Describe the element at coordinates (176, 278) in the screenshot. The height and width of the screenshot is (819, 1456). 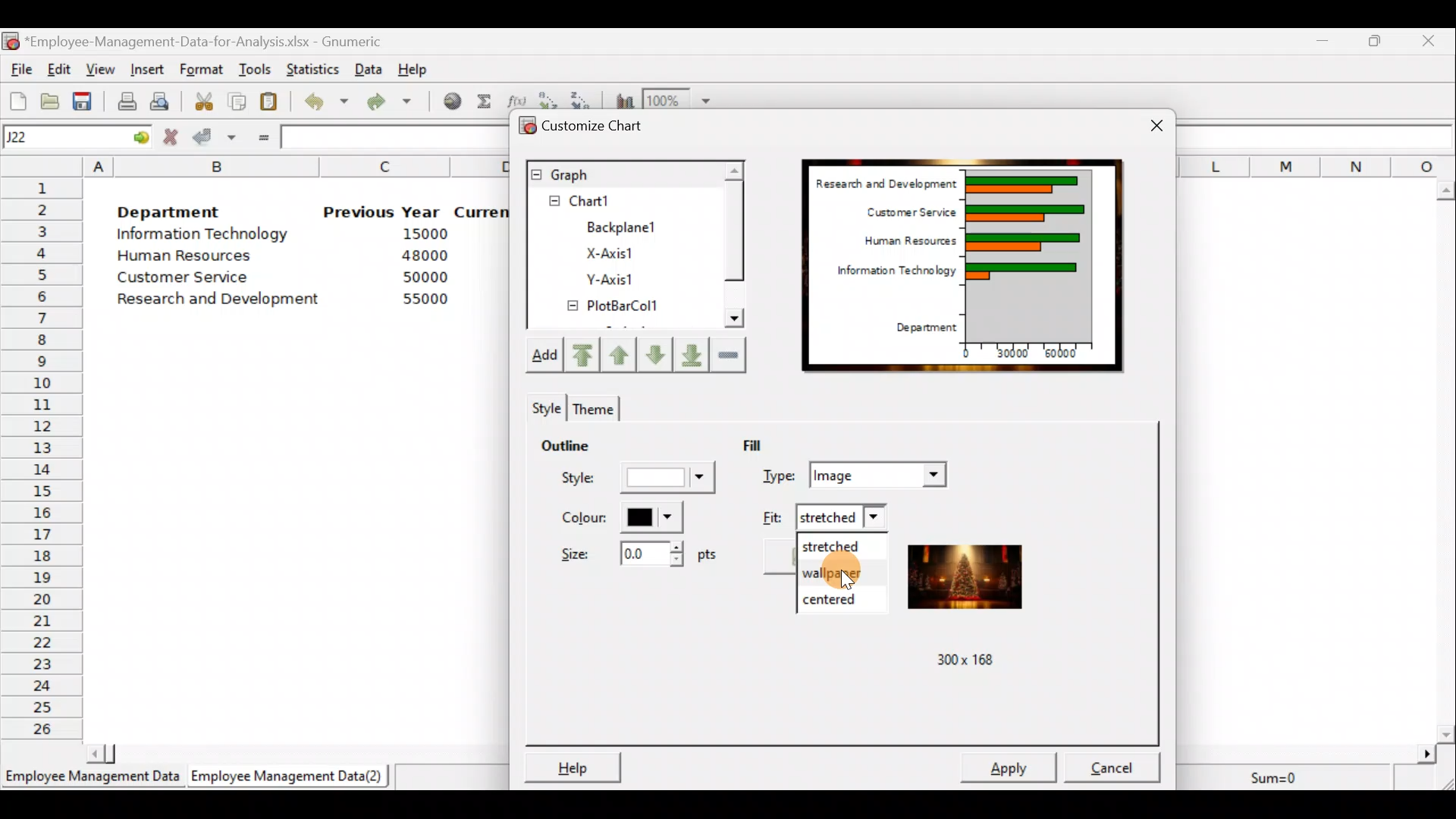
I see `Customer Service` at that location.